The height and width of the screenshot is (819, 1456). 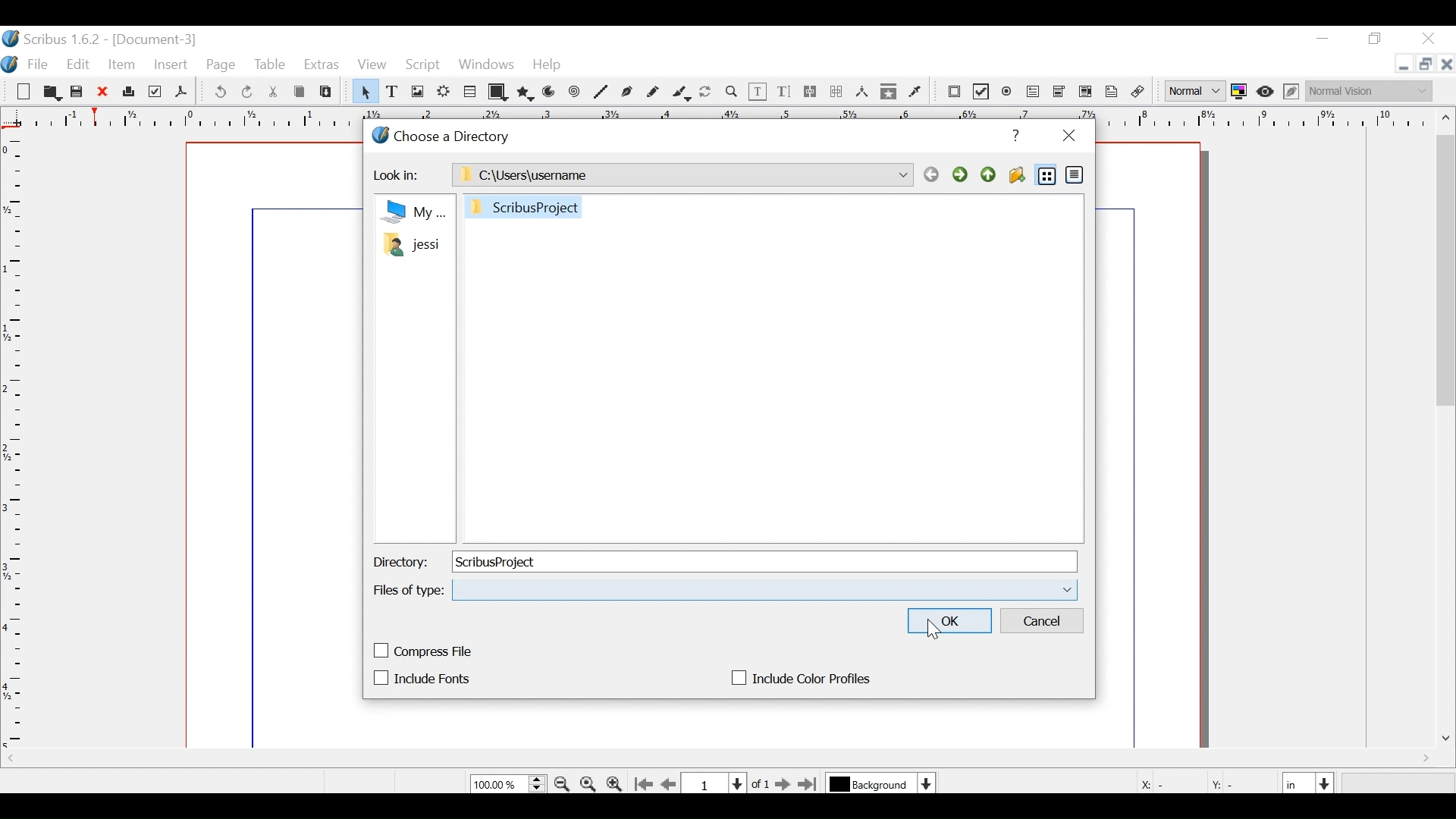 I want to click on , so click(x=926, y=782).